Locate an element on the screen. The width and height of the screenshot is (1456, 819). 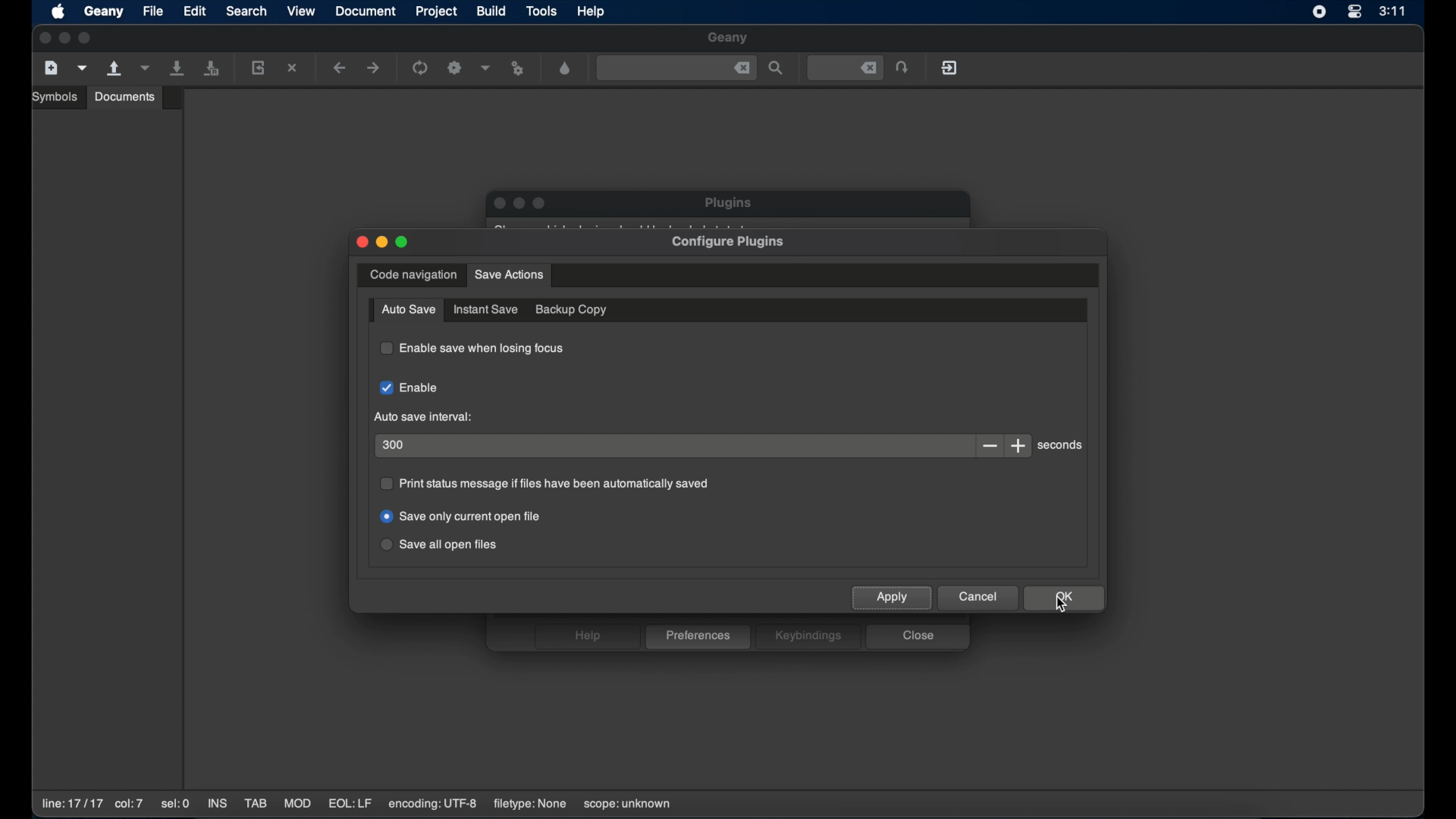
jump to the entered file is located at coordinates (846, 68).